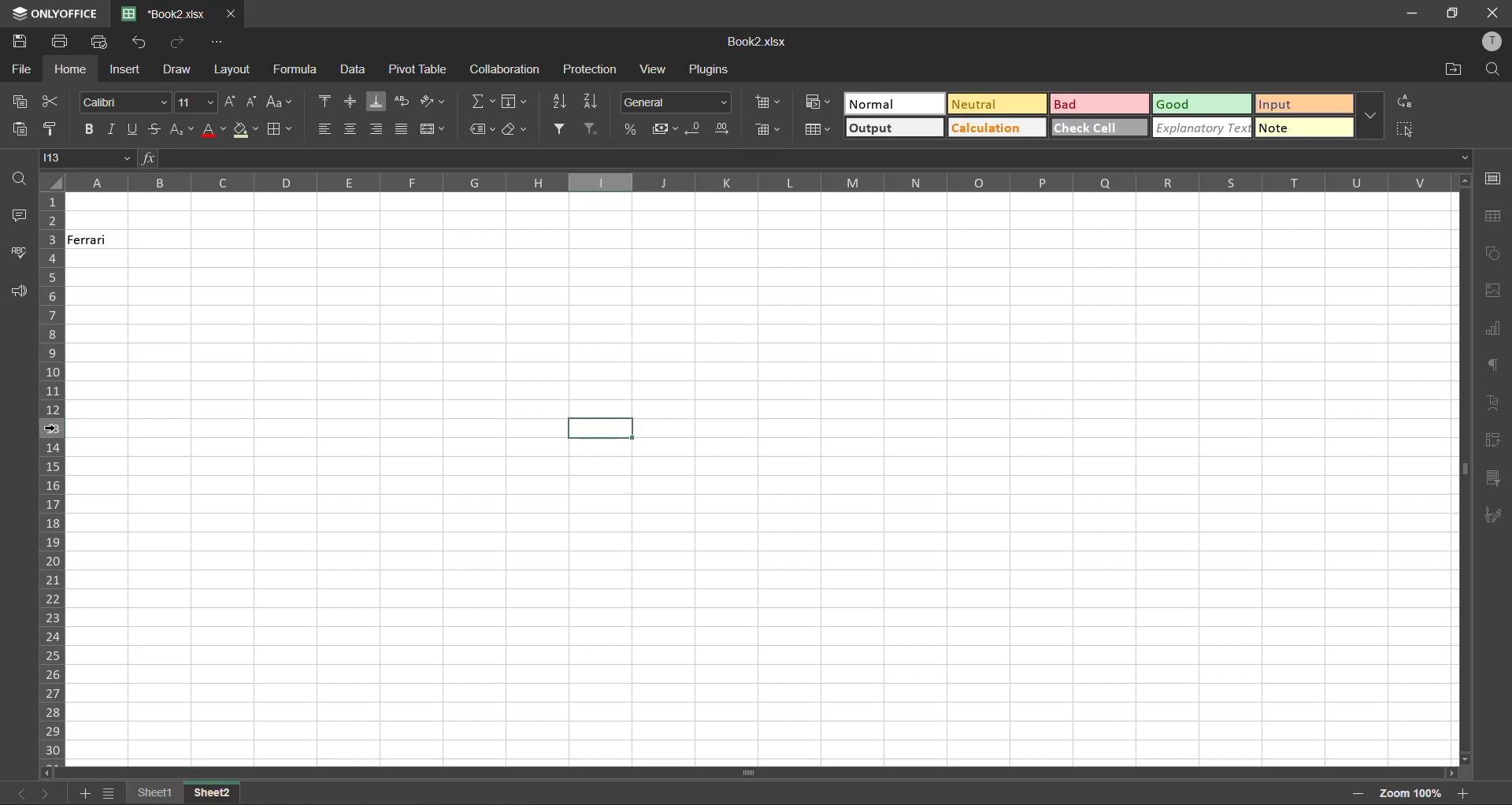  What do you see at coordinates (297, 69) in the screenshot?
I see `formula` at bounding box center [297, 69].